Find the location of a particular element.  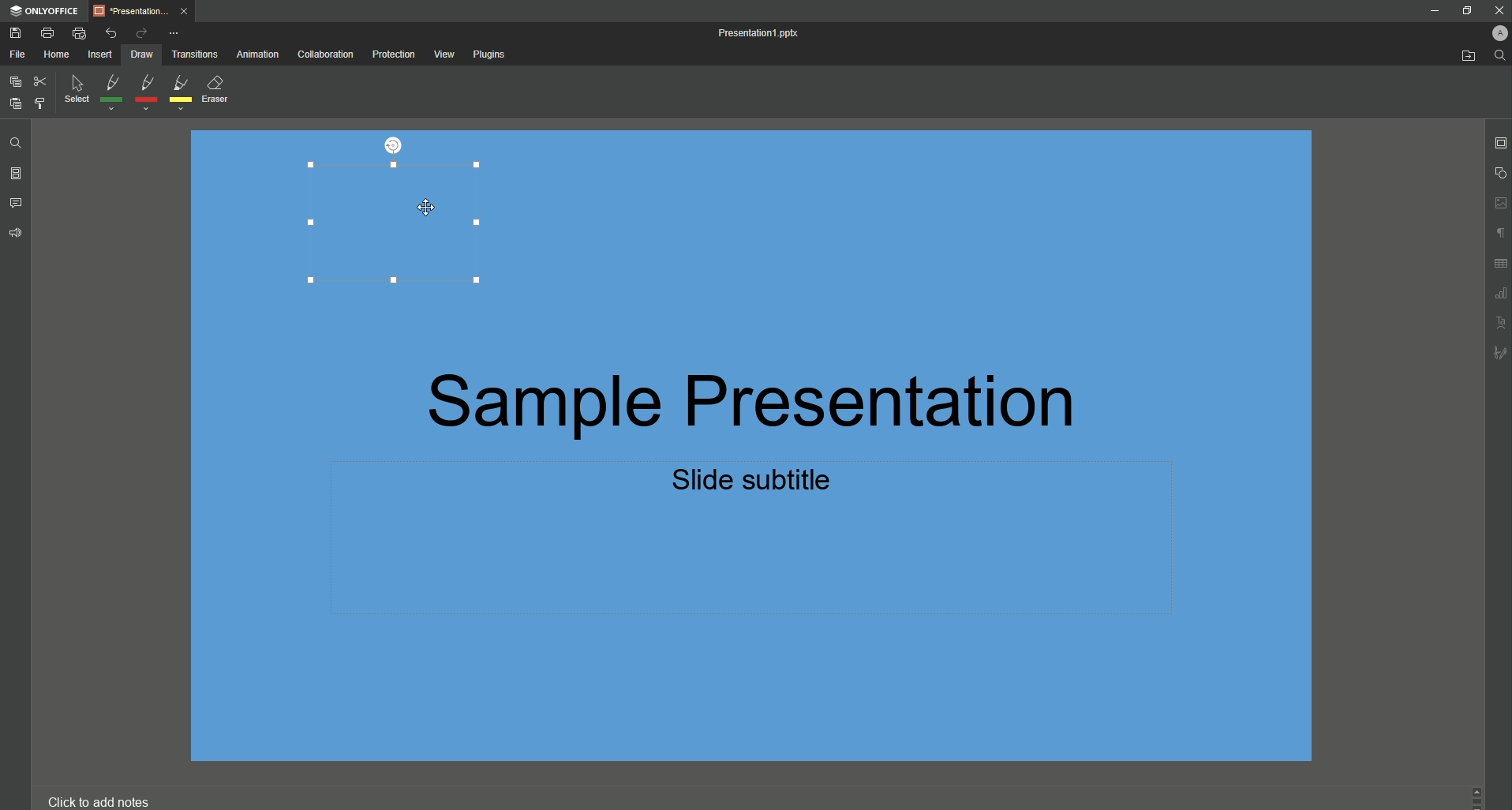

Feedback is located at coordinates (15, 236).